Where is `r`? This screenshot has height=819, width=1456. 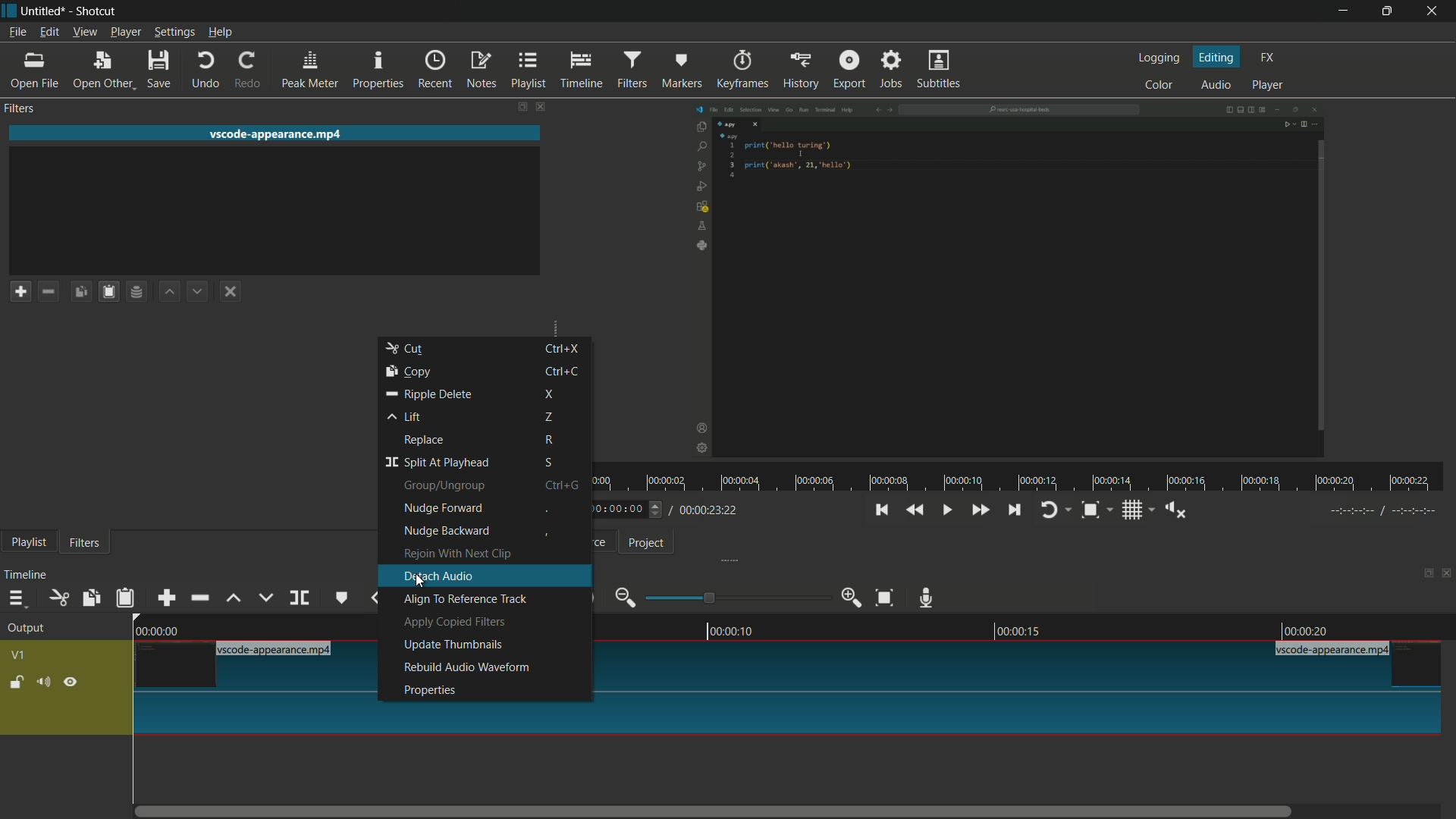
r is located at coordinates (566, 441).